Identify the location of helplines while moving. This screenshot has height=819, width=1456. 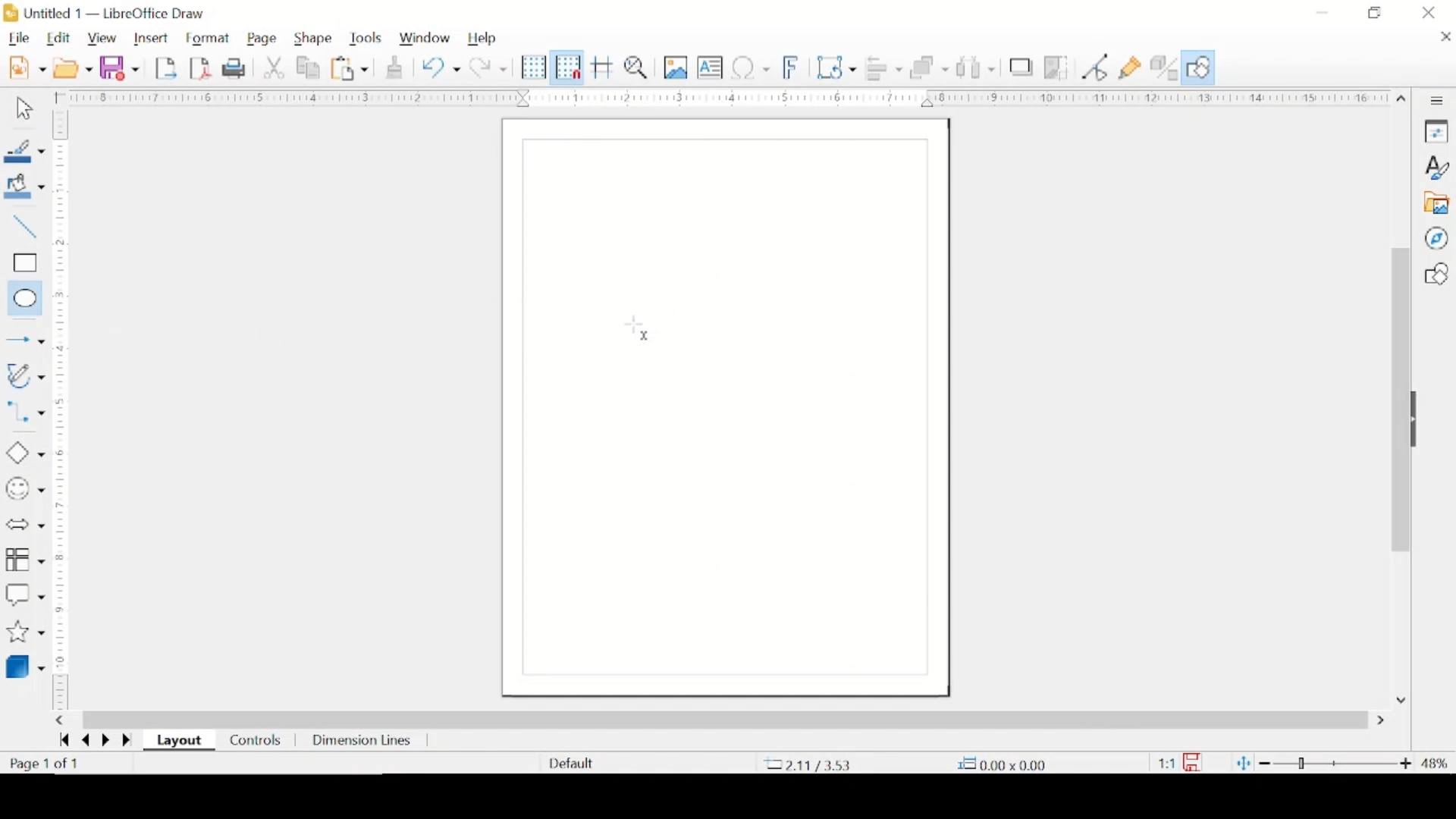
(603, 67).